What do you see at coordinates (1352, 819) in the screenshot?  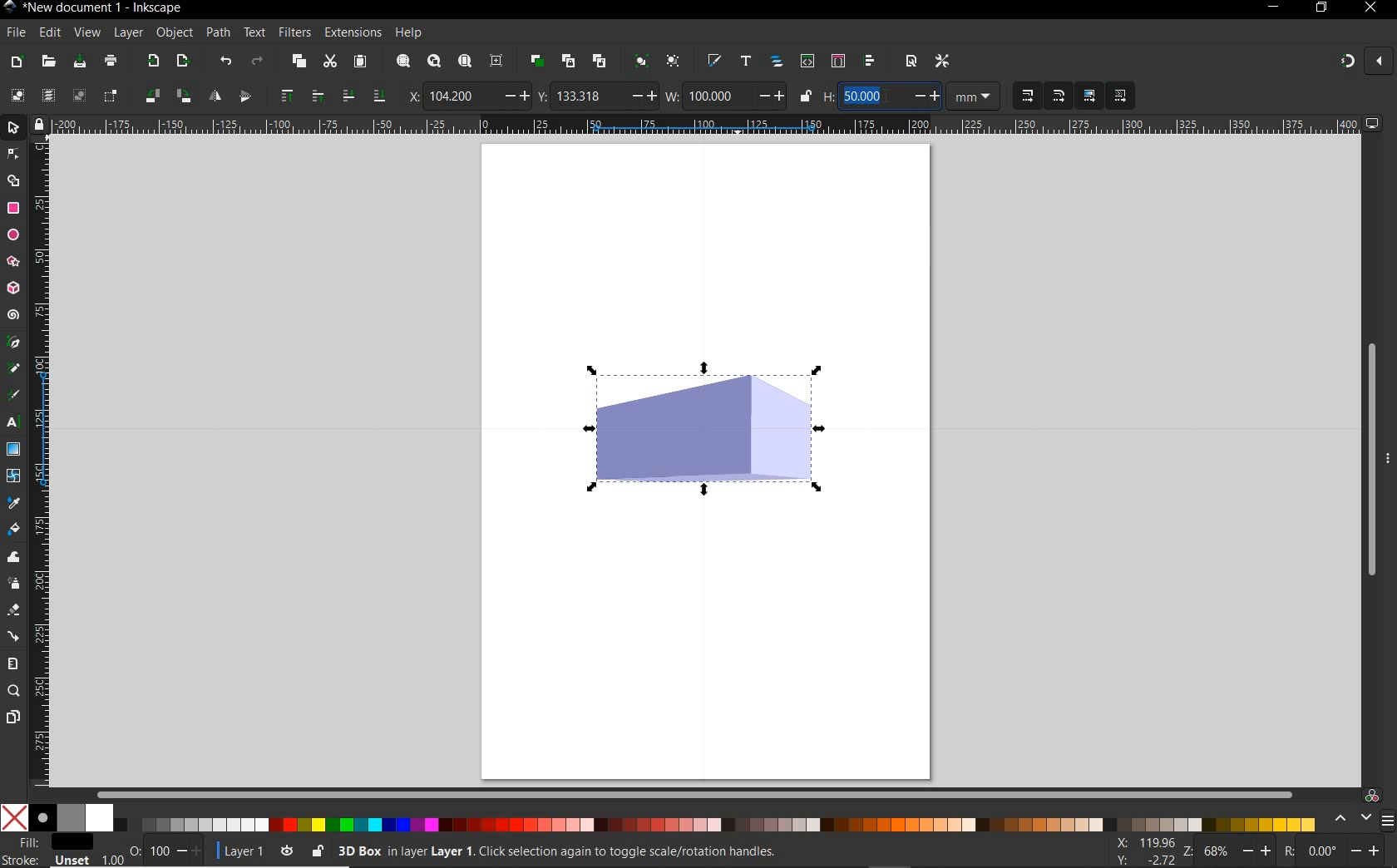 I see `scroll color options` at bounding box center [1352, 819].